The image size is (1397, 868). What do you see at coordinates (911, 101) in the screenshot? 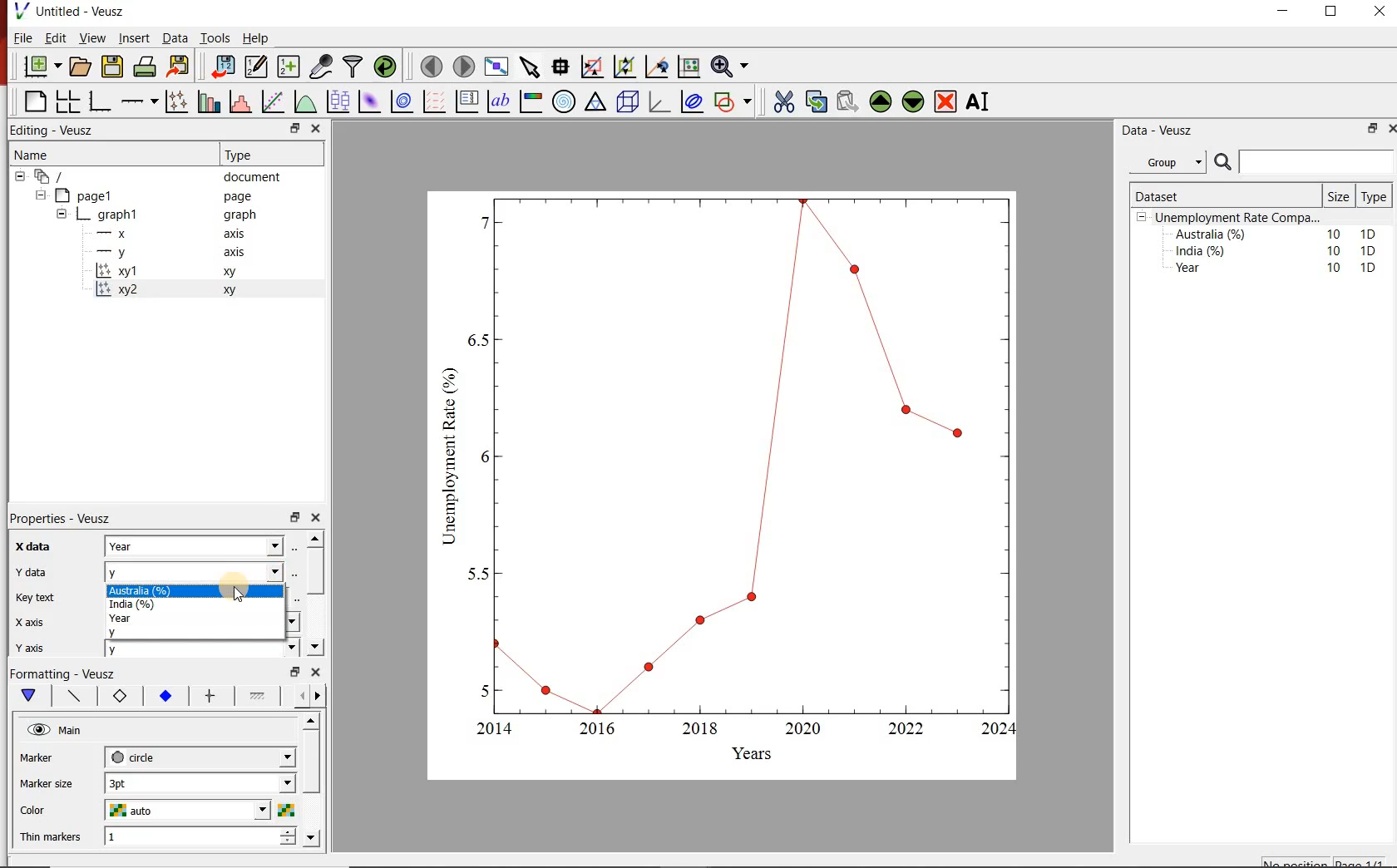
I see `move the widgets down` at bounding box center [911, 101].